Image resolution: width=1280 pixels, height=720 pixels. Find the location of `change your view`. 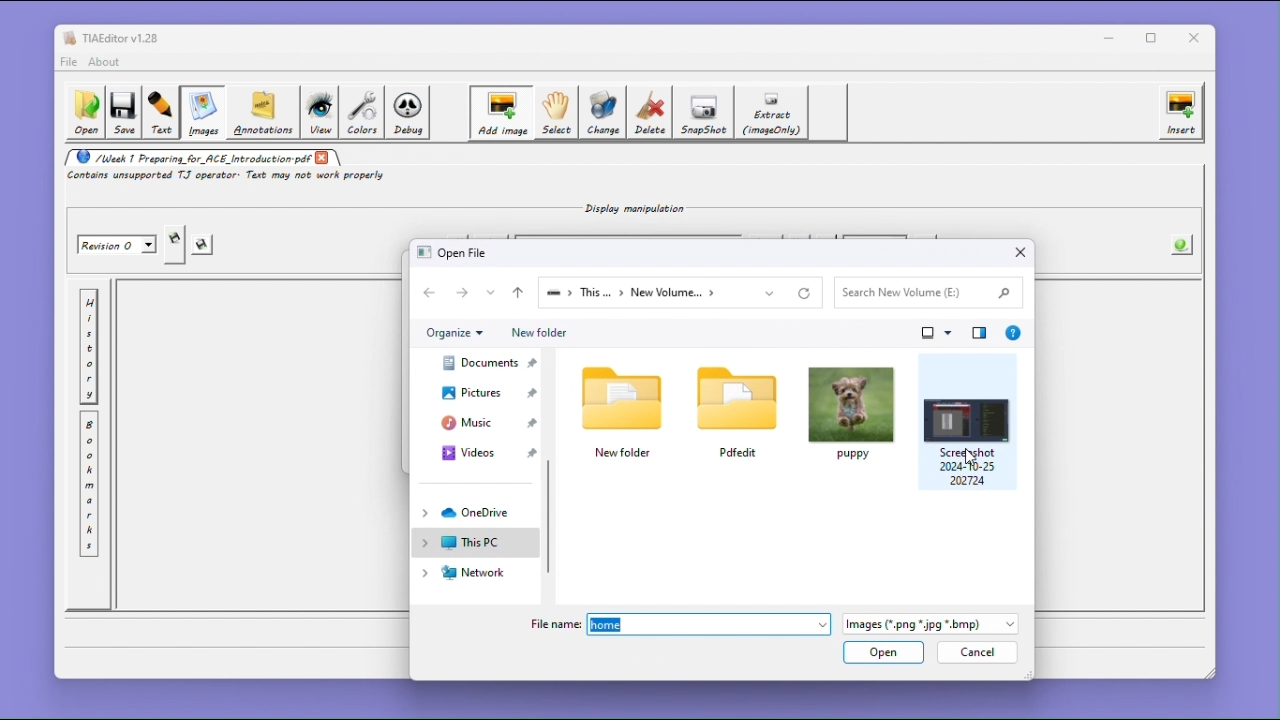

change your view is located at coordinates (938, 333).